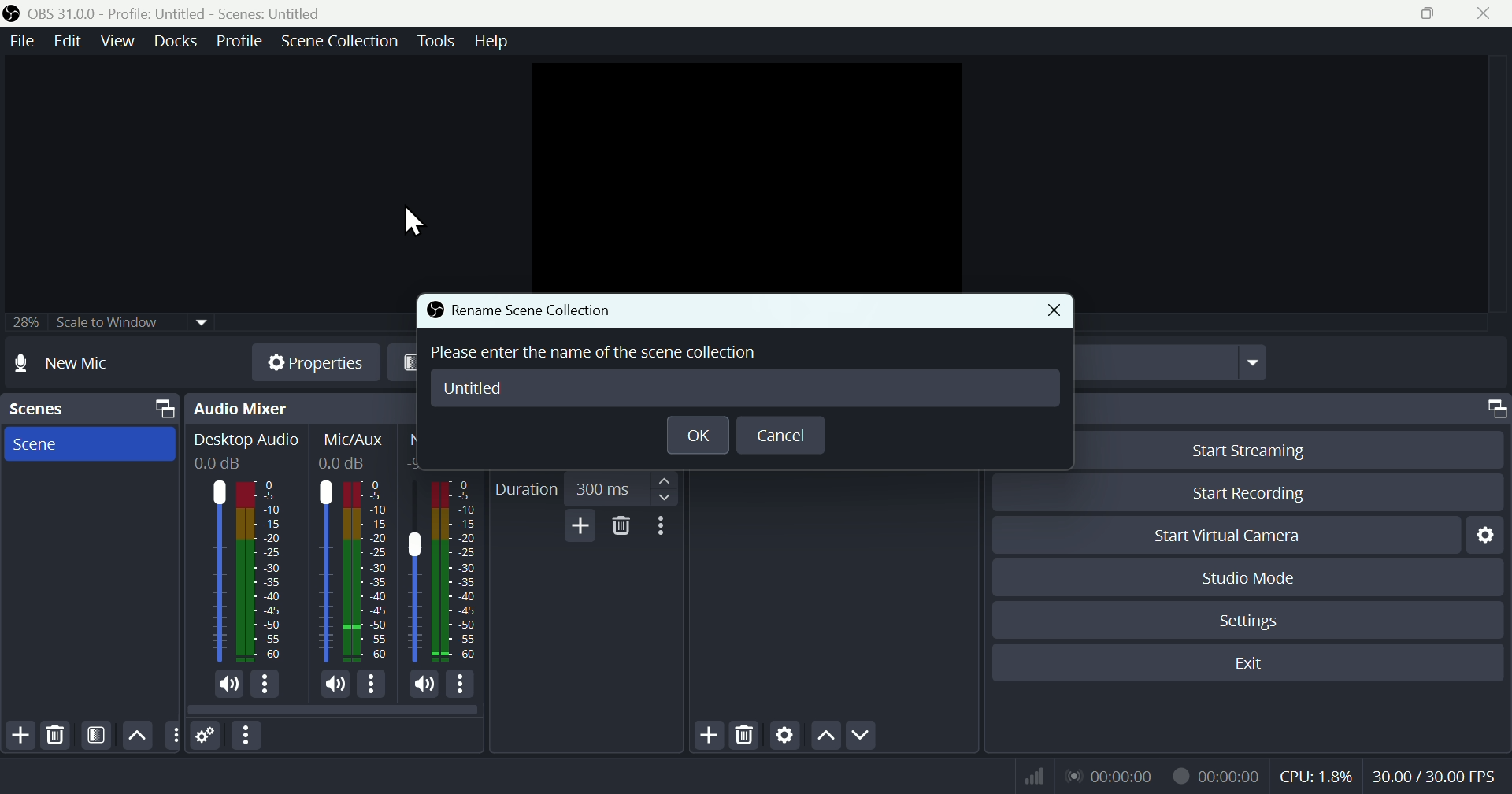 This screenshot has height=794, width=1512. Describe the element at coordinates (416, 573) in the screenshot. I see `New Mic` at that location.